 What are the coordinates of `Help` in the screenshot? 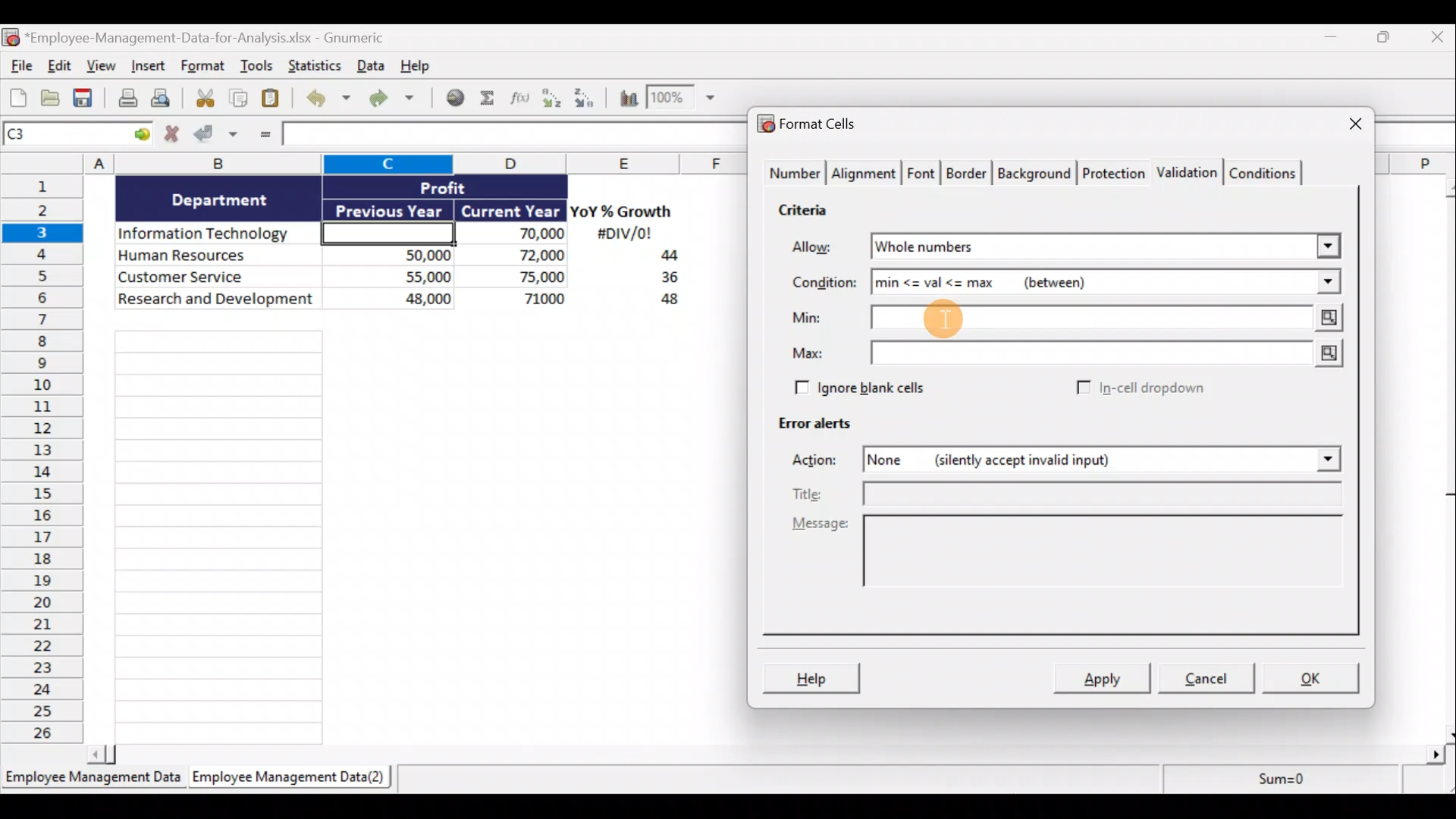 It's located at (814, 676).